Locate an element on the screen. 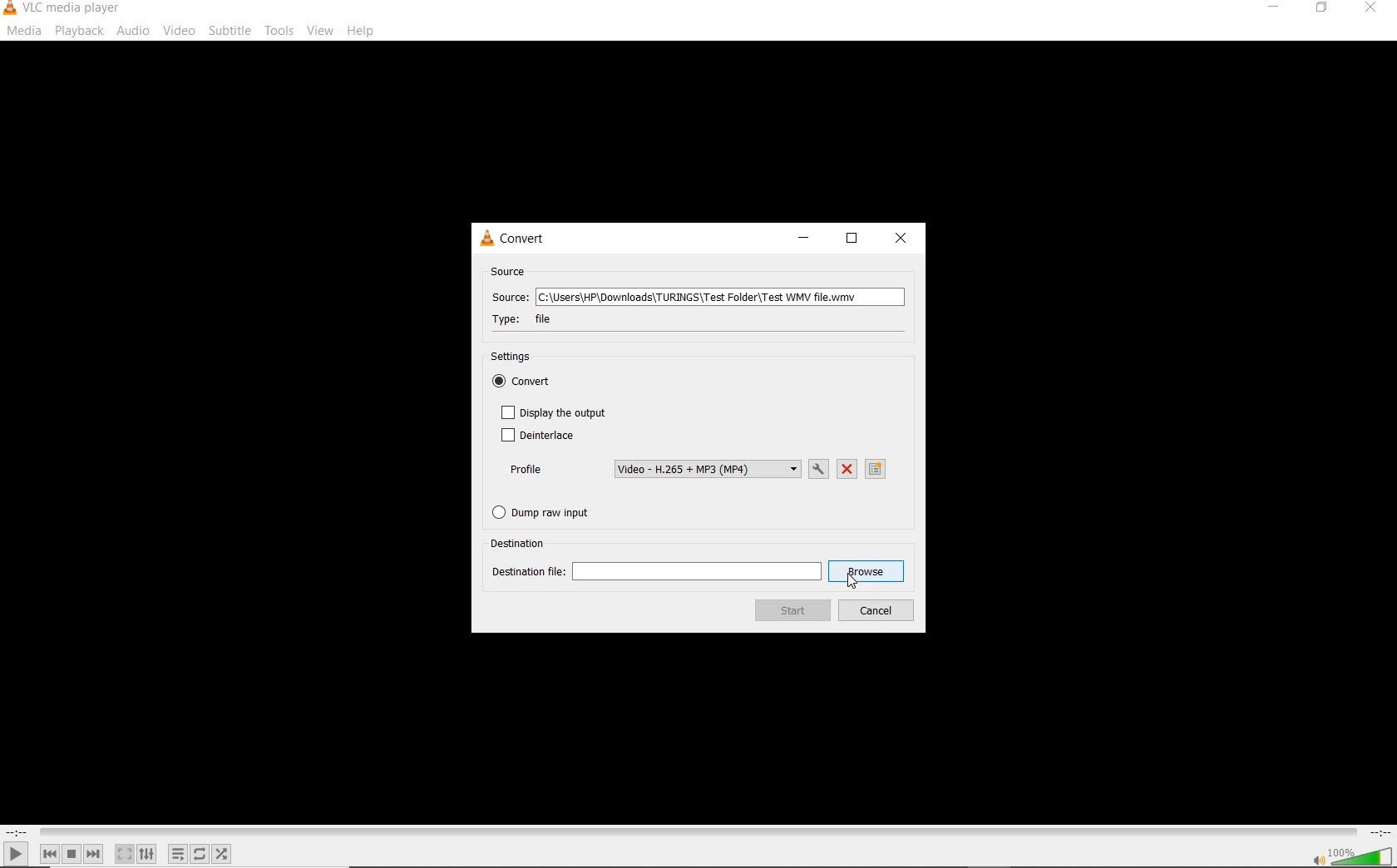  toggle playlist is located at coordinates (178, 854).